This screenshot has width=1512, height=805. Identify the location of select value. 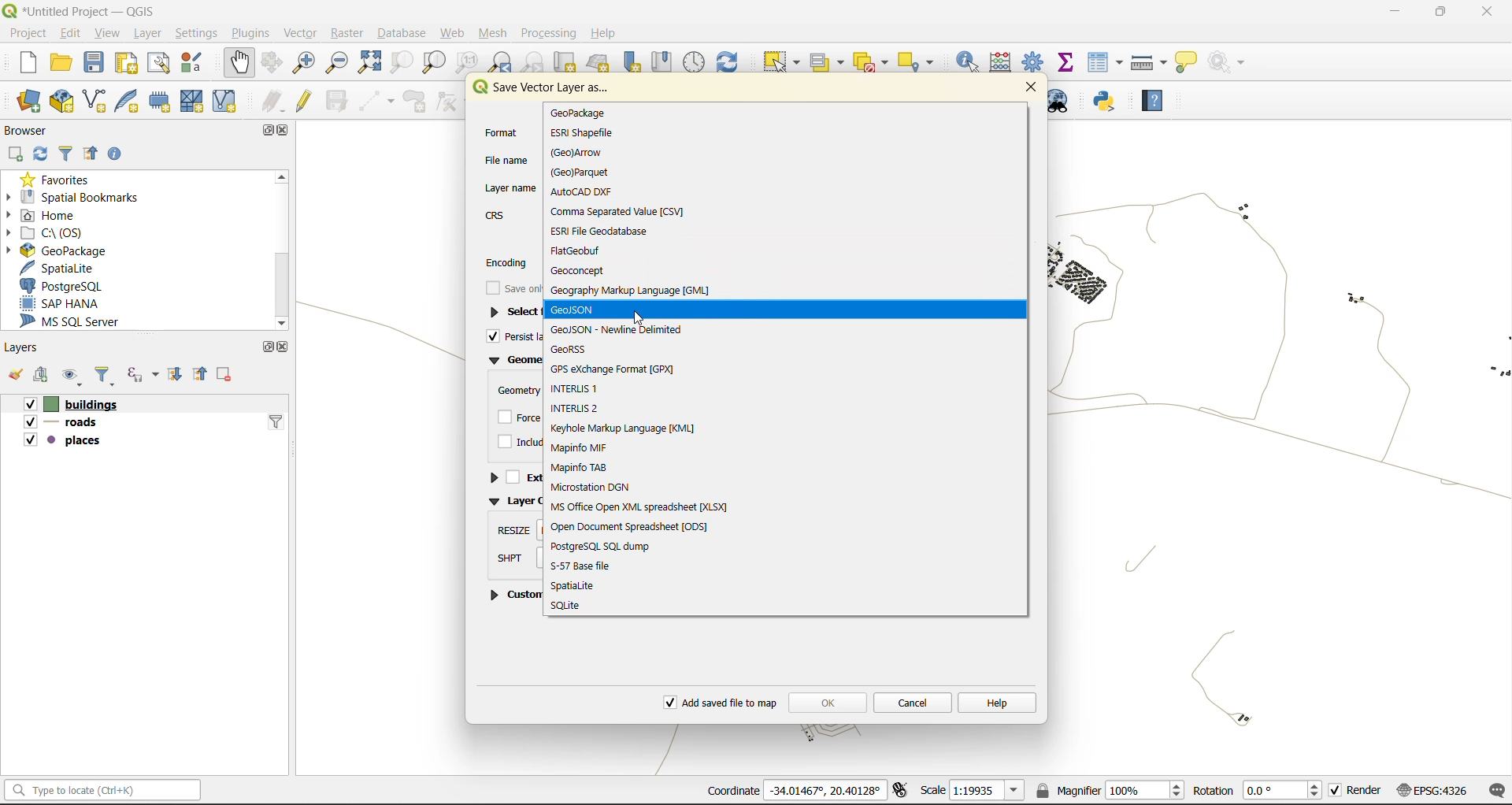
(828, 62).